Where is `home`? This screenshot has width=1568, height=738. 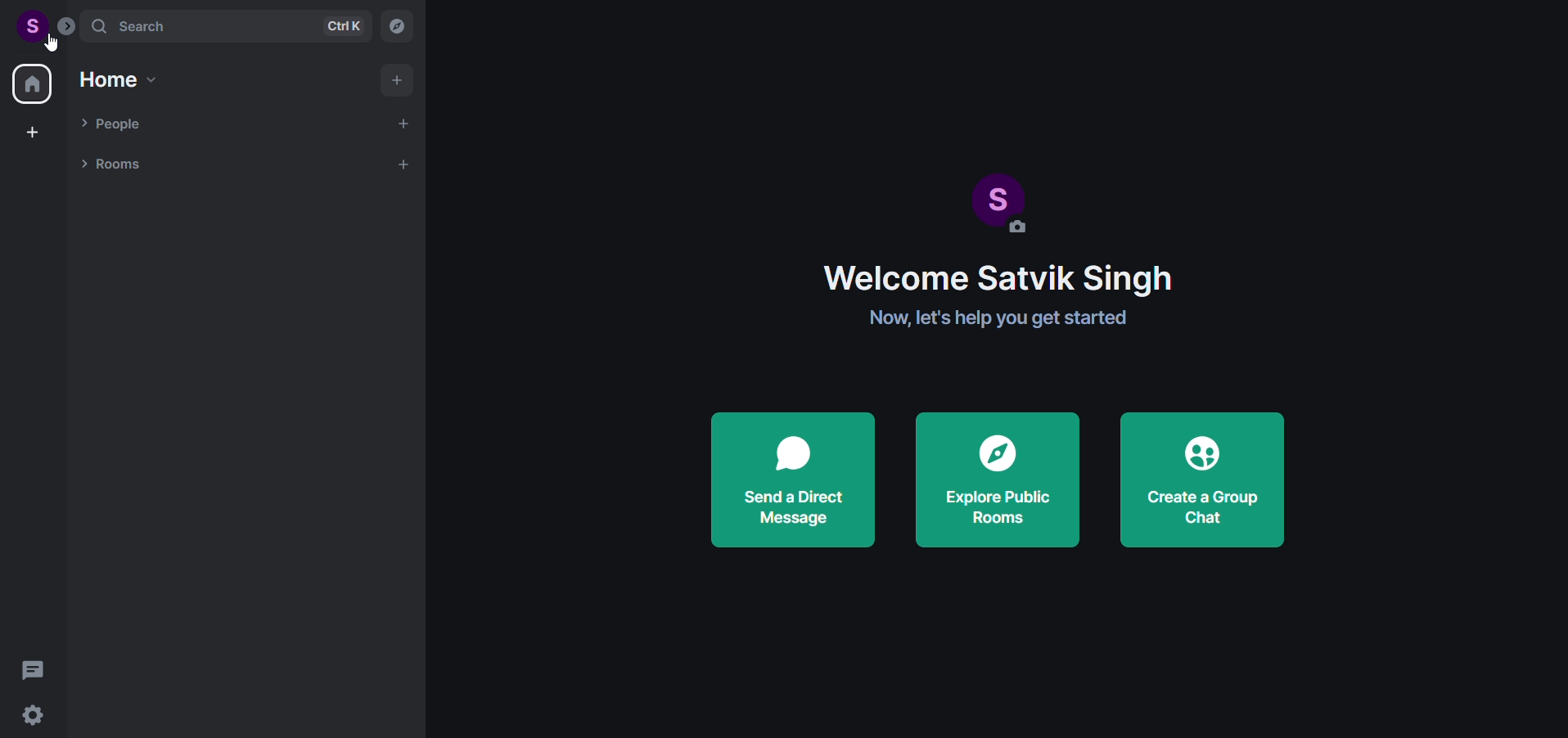
home is located at coordinates (32, 83).